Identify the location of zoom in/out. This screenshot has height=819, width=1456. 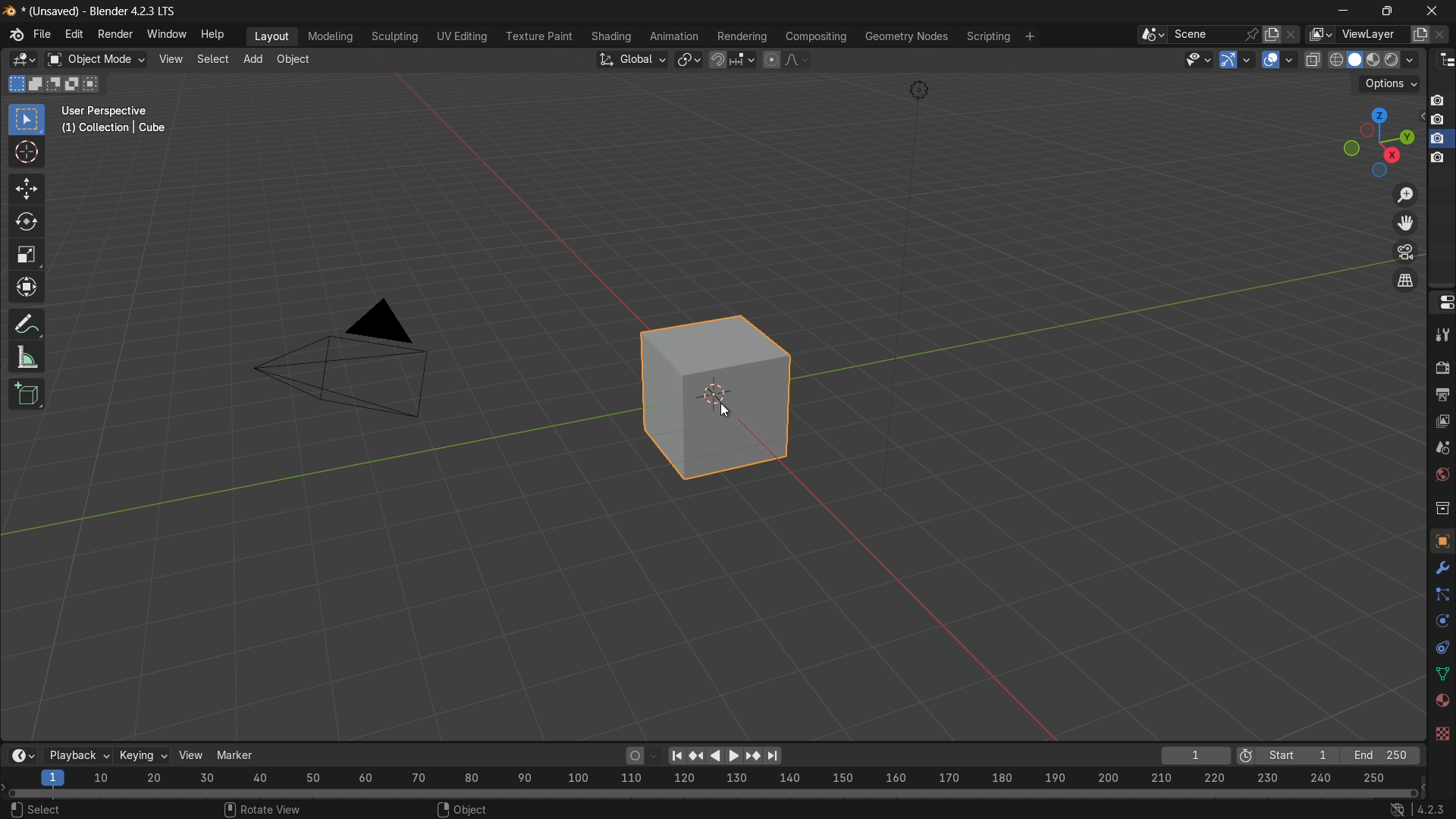
(1407, 195).